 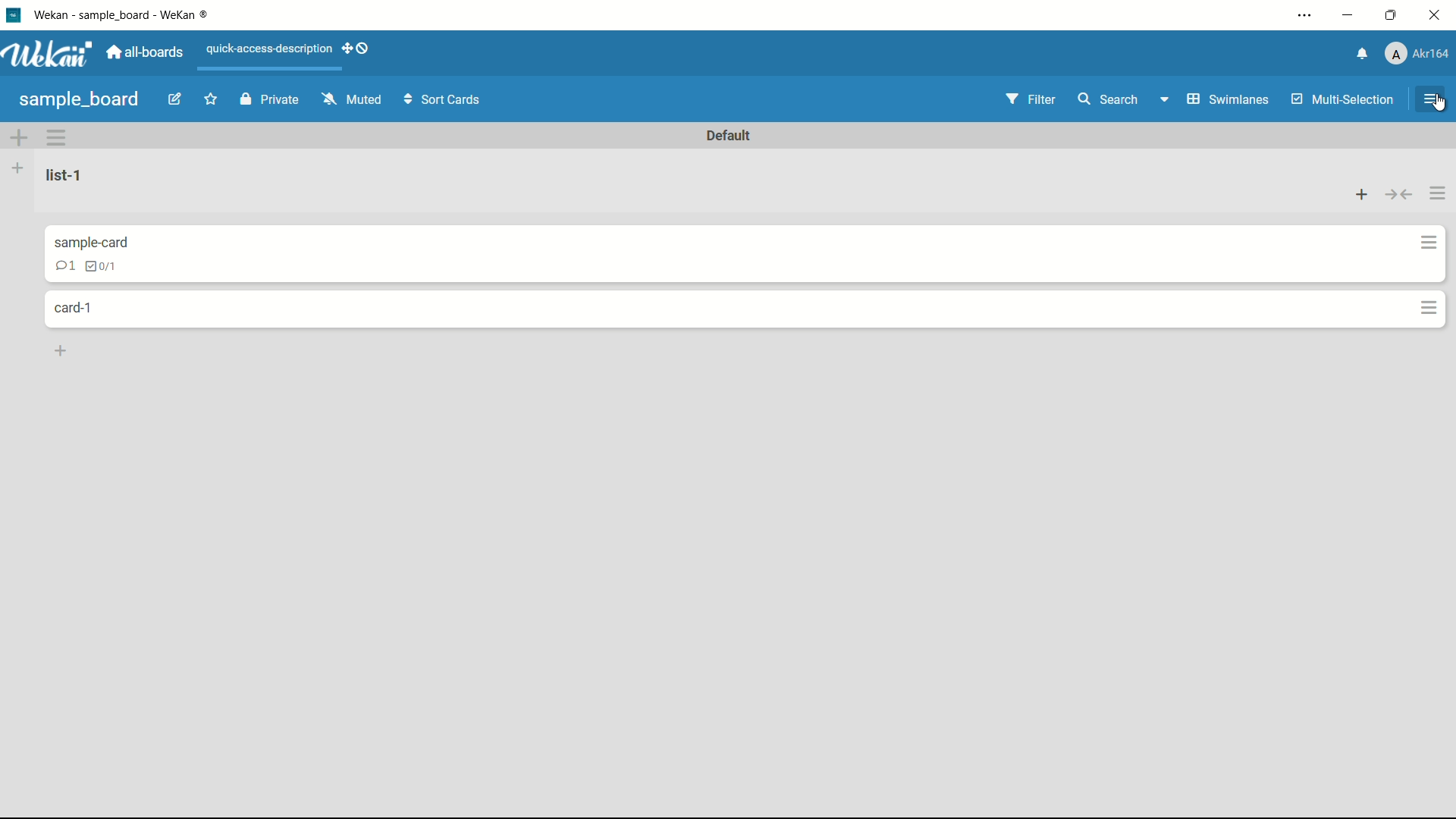 I want to click on mute, so click(x=349, y=98).